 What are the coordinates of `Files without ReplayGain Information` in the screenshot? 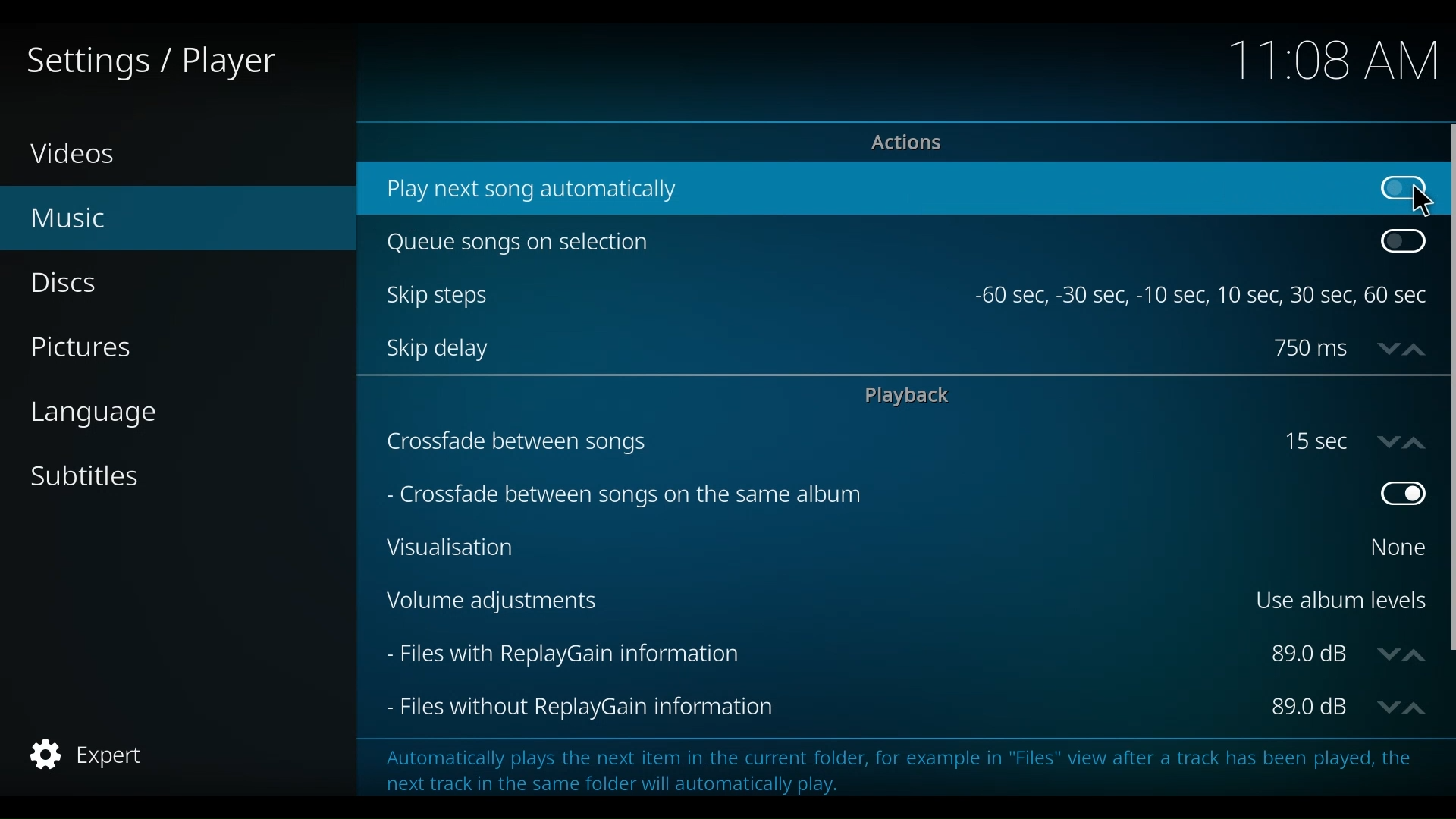 It's located at (821, 708).